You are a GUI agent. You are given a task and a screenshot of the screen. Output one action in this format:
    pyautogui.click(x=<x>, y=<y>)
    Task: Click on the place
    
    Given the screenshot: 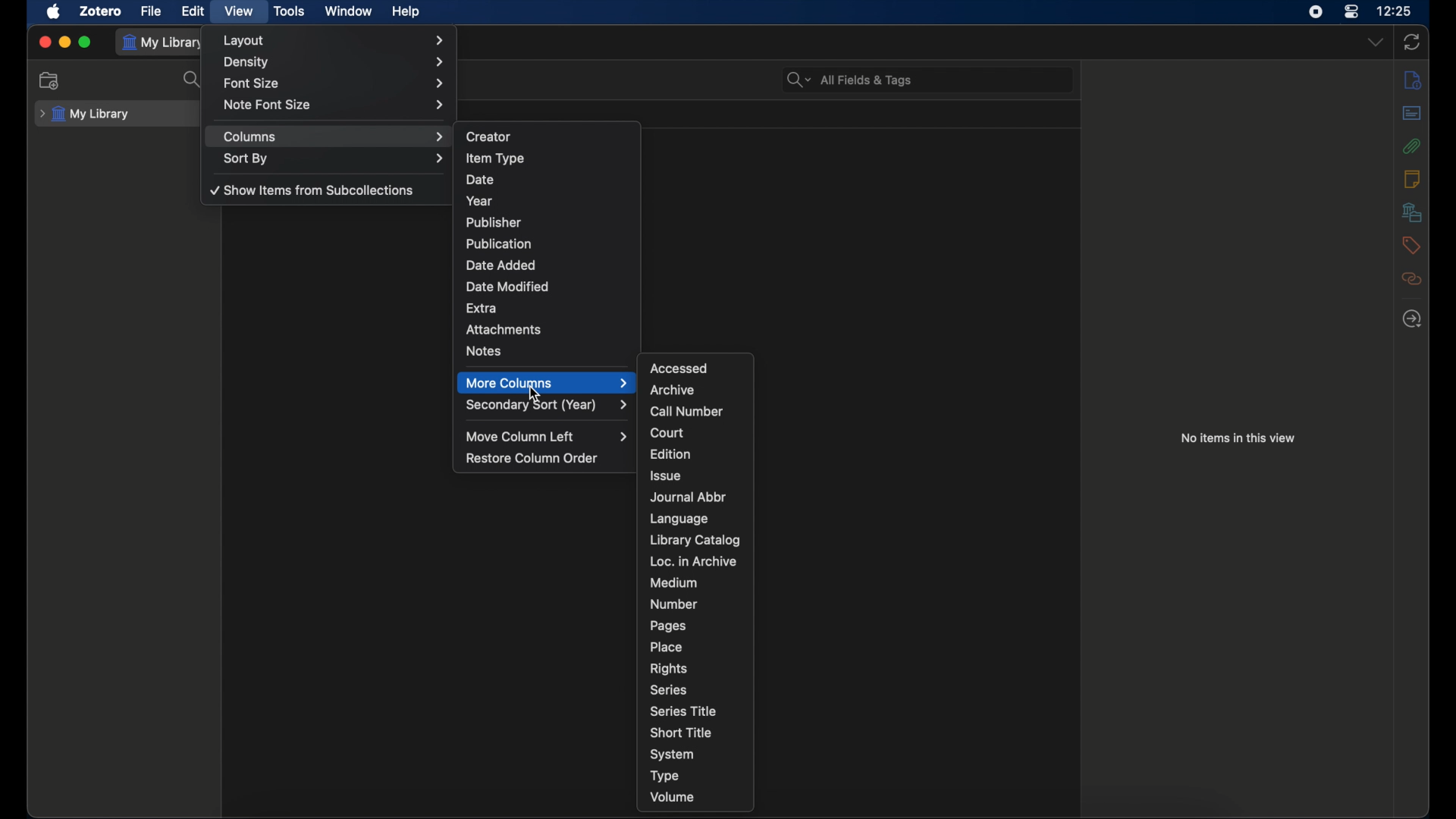 What is the action you would take?
    pyautogui.click(x=666, y=647)
    